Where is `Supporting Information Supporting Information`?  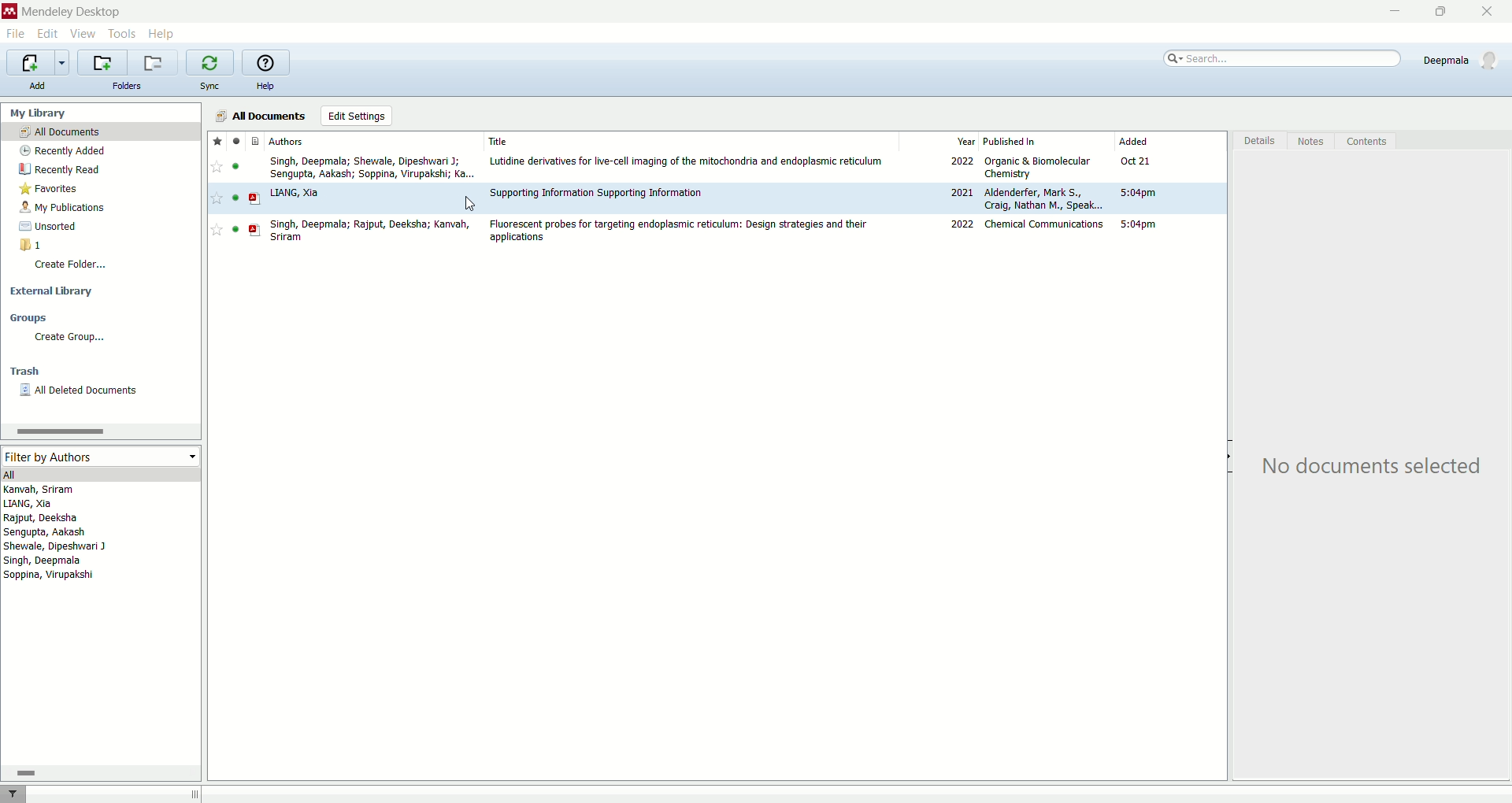
Supporting Information Supporting Information is located at coordinates (597, 192).